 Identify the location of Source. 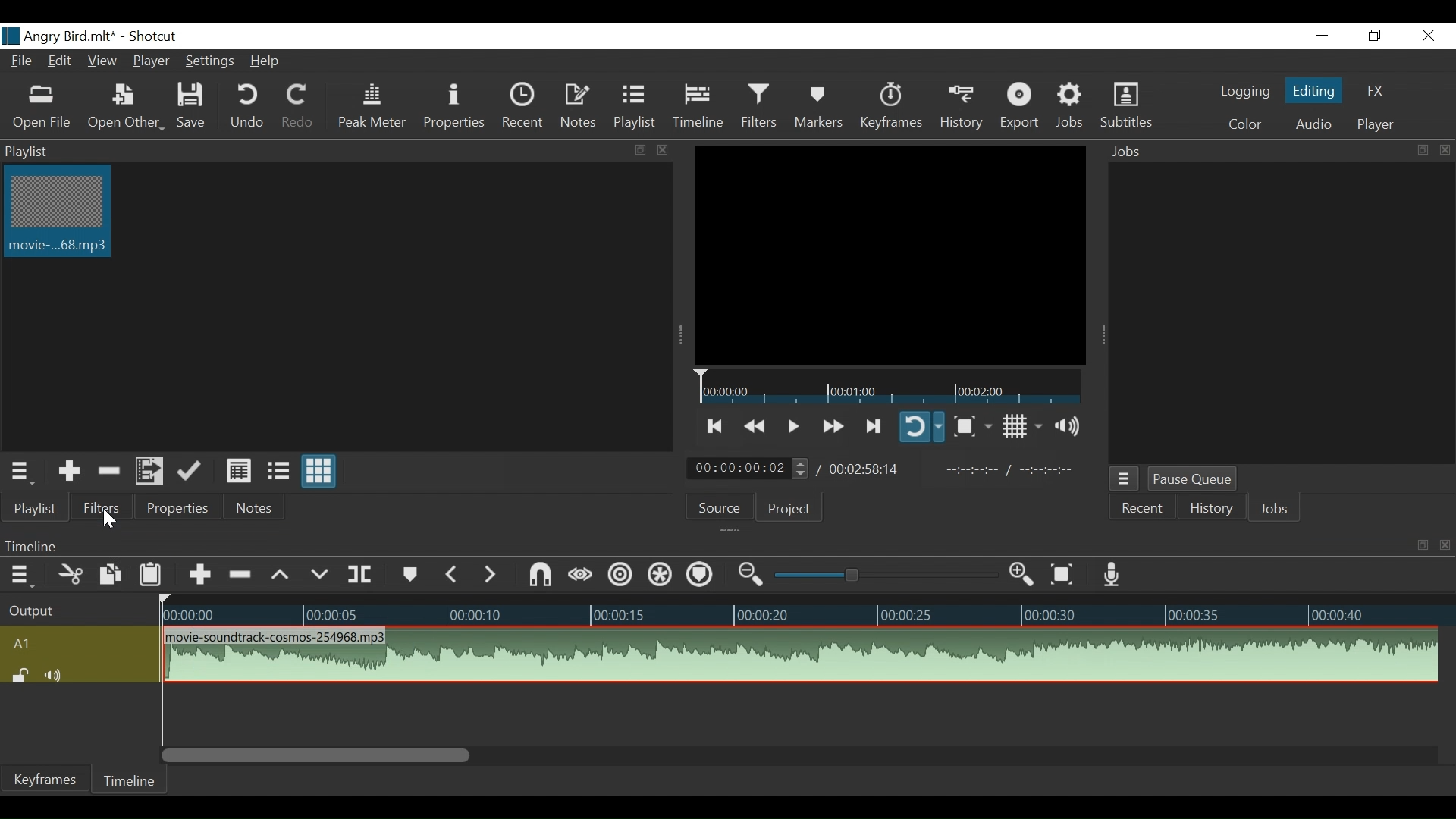
(722, 507).